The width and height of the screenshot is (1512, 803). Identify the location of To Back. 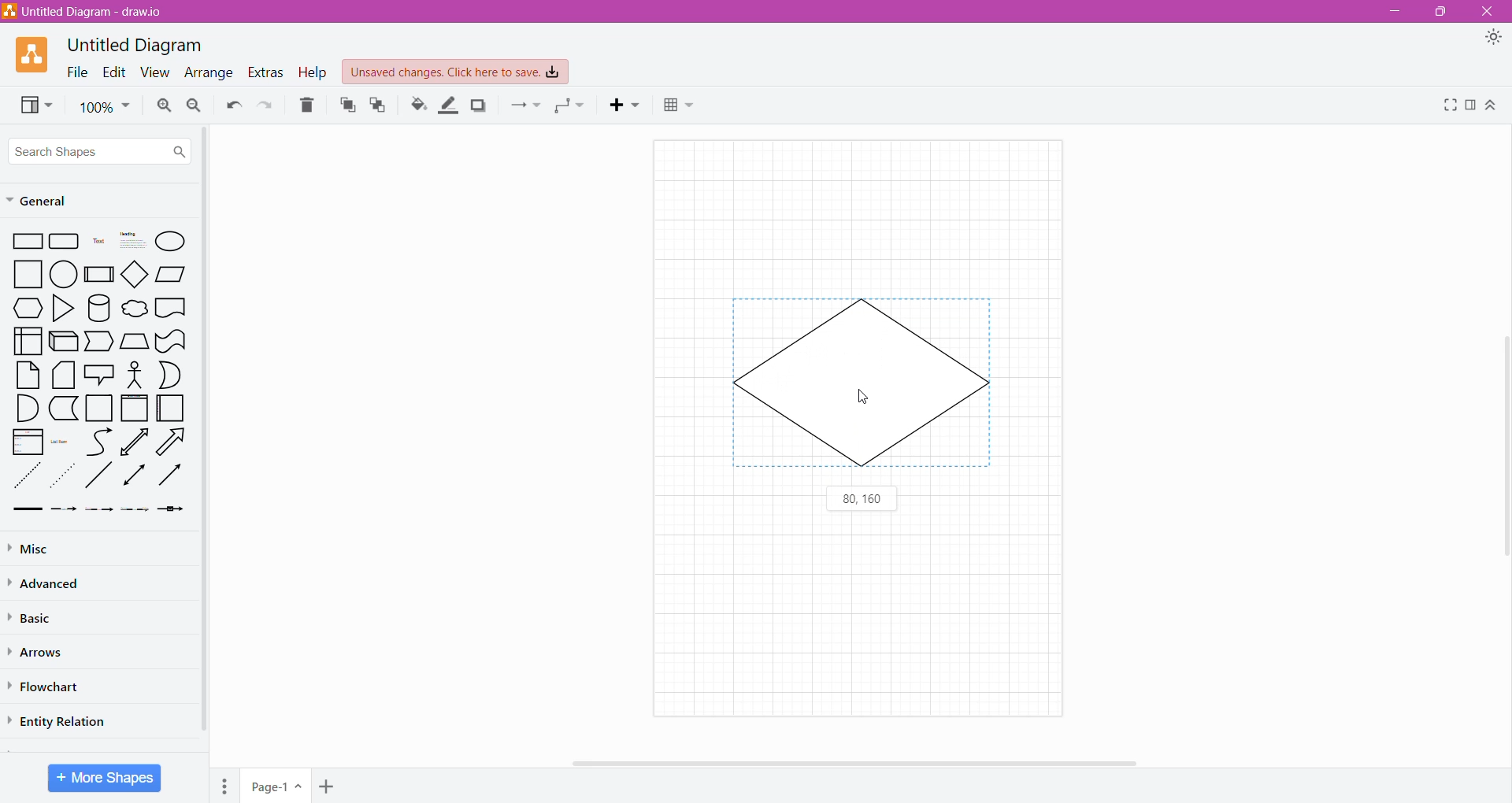
(379, 105).